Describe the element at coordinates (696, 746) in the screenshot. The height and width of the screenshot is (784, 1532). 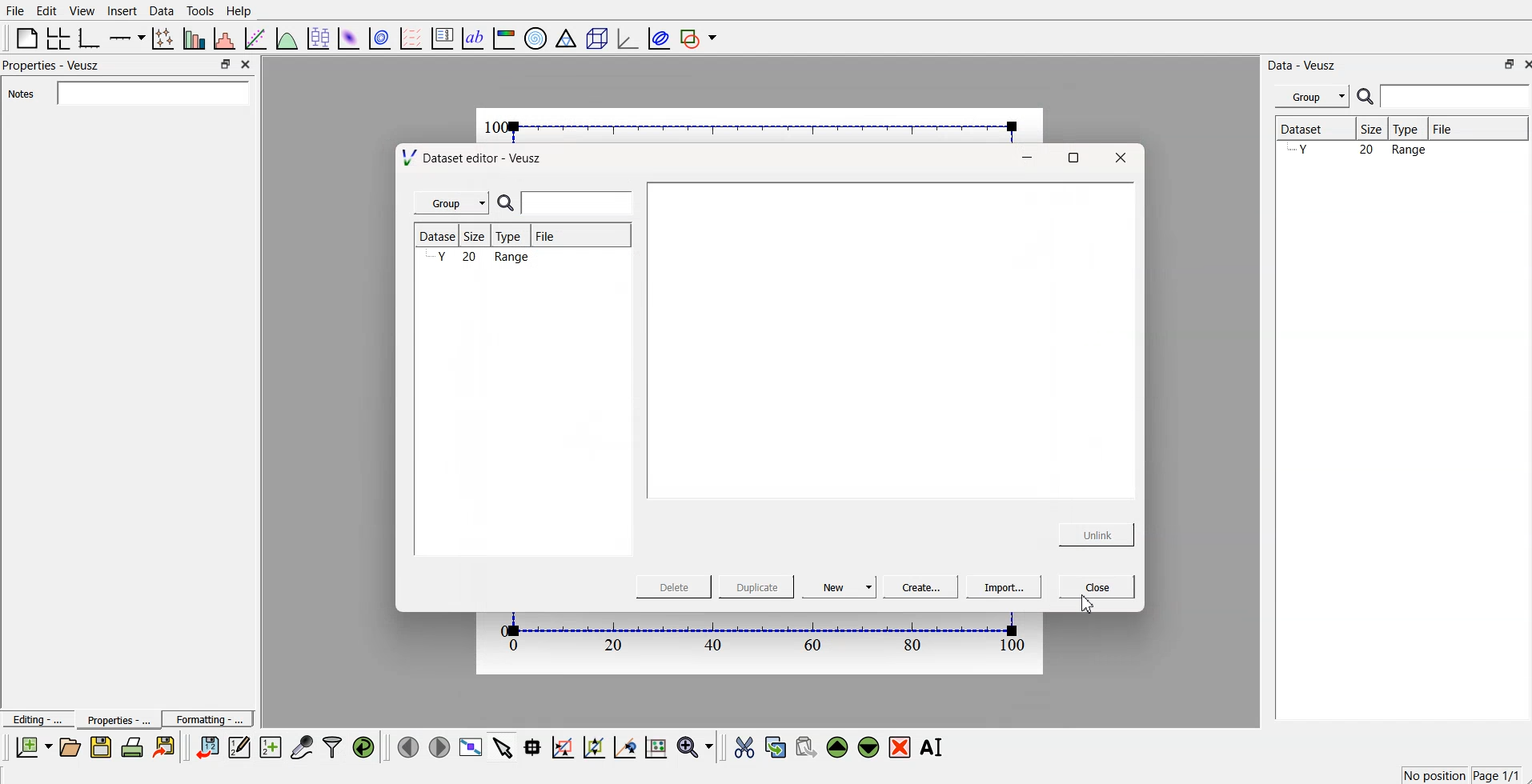
I see `Zoom function menu` at that location.